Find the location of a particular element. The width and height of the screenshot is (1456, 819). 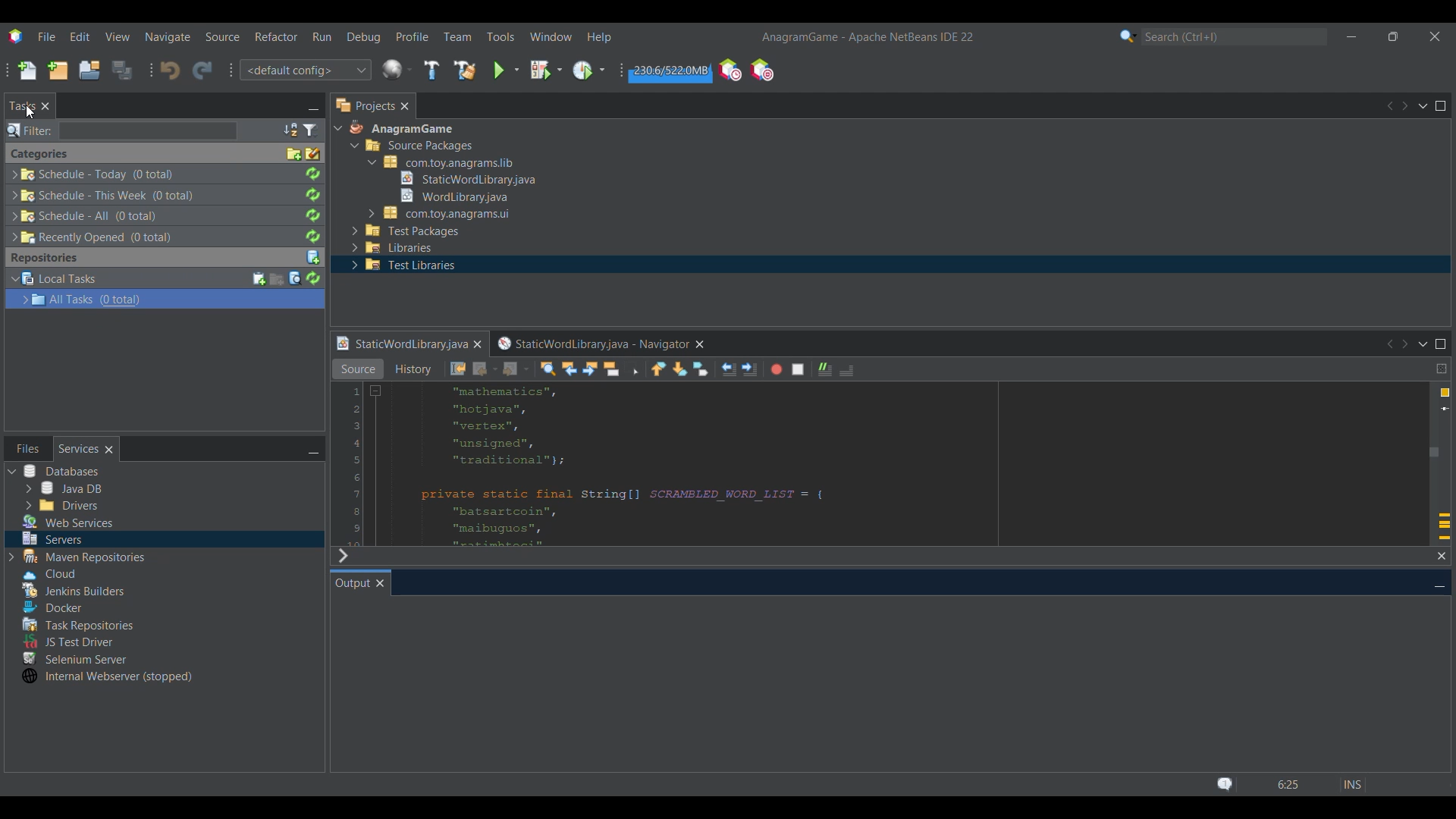

Create category is located at coordinates (294, 154).